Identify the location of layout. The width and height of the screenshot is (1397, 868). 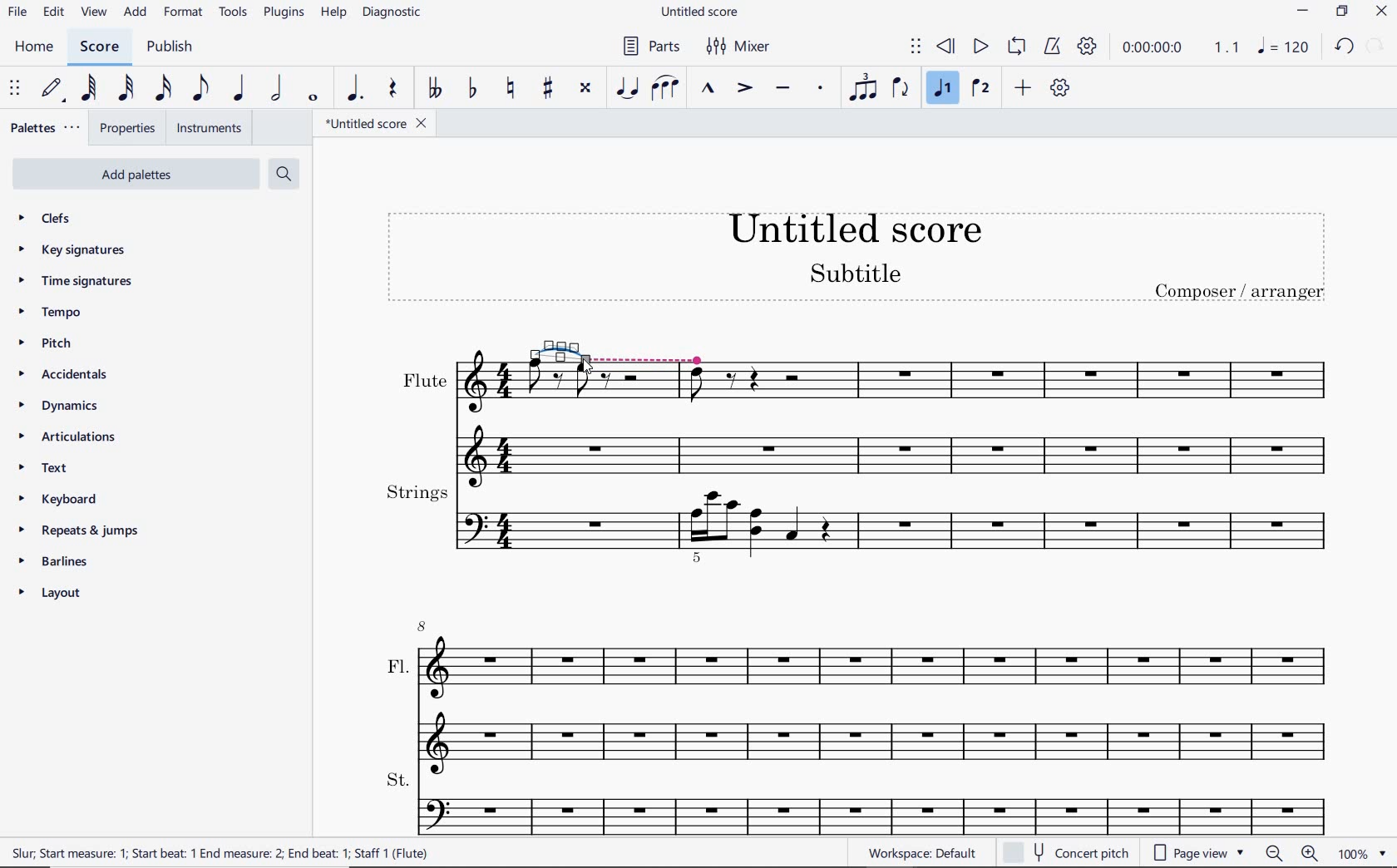
(51, 594).